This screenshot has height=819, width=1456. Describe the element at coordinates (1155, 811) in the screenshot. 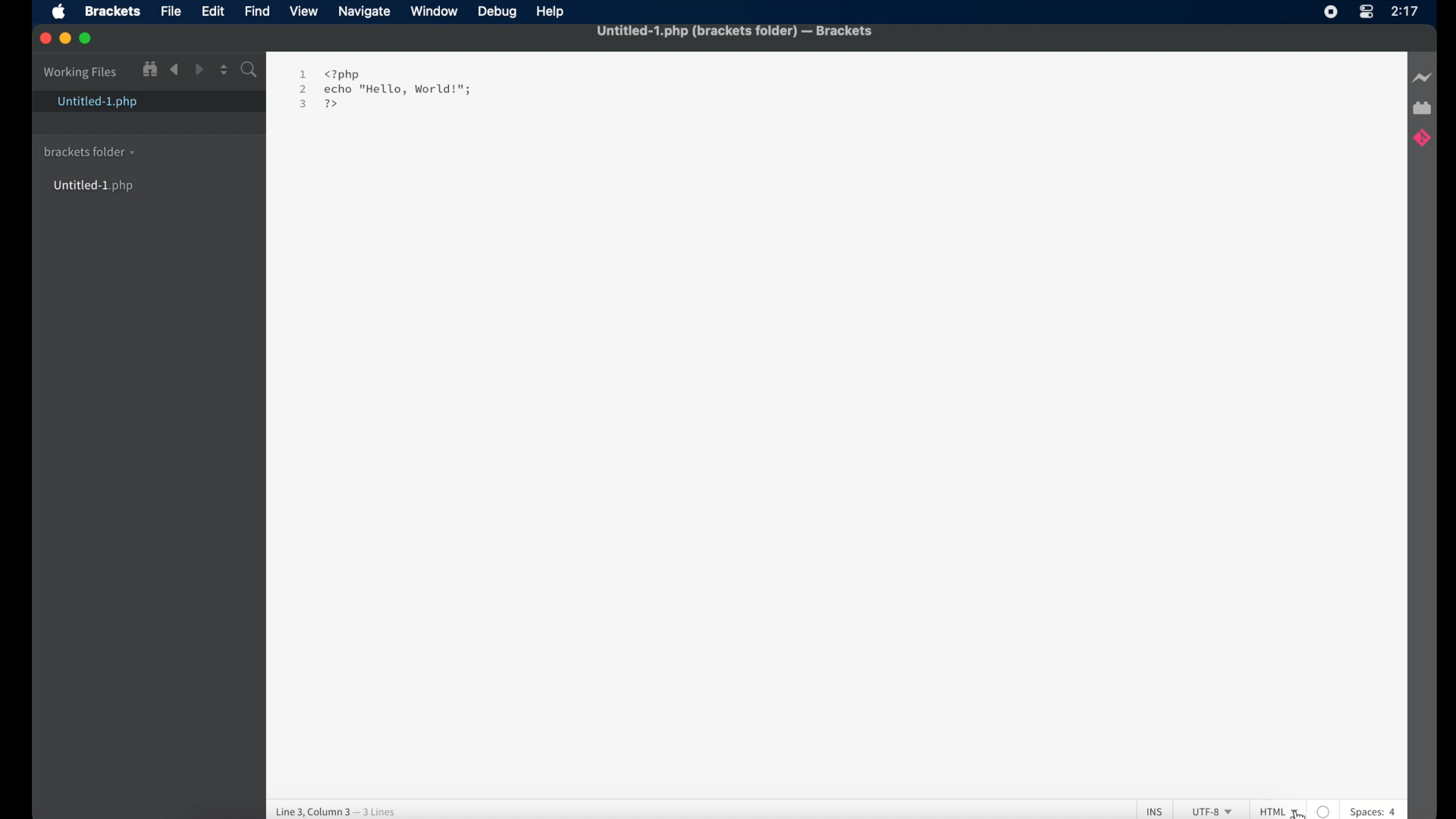

I see `INS` at that location.